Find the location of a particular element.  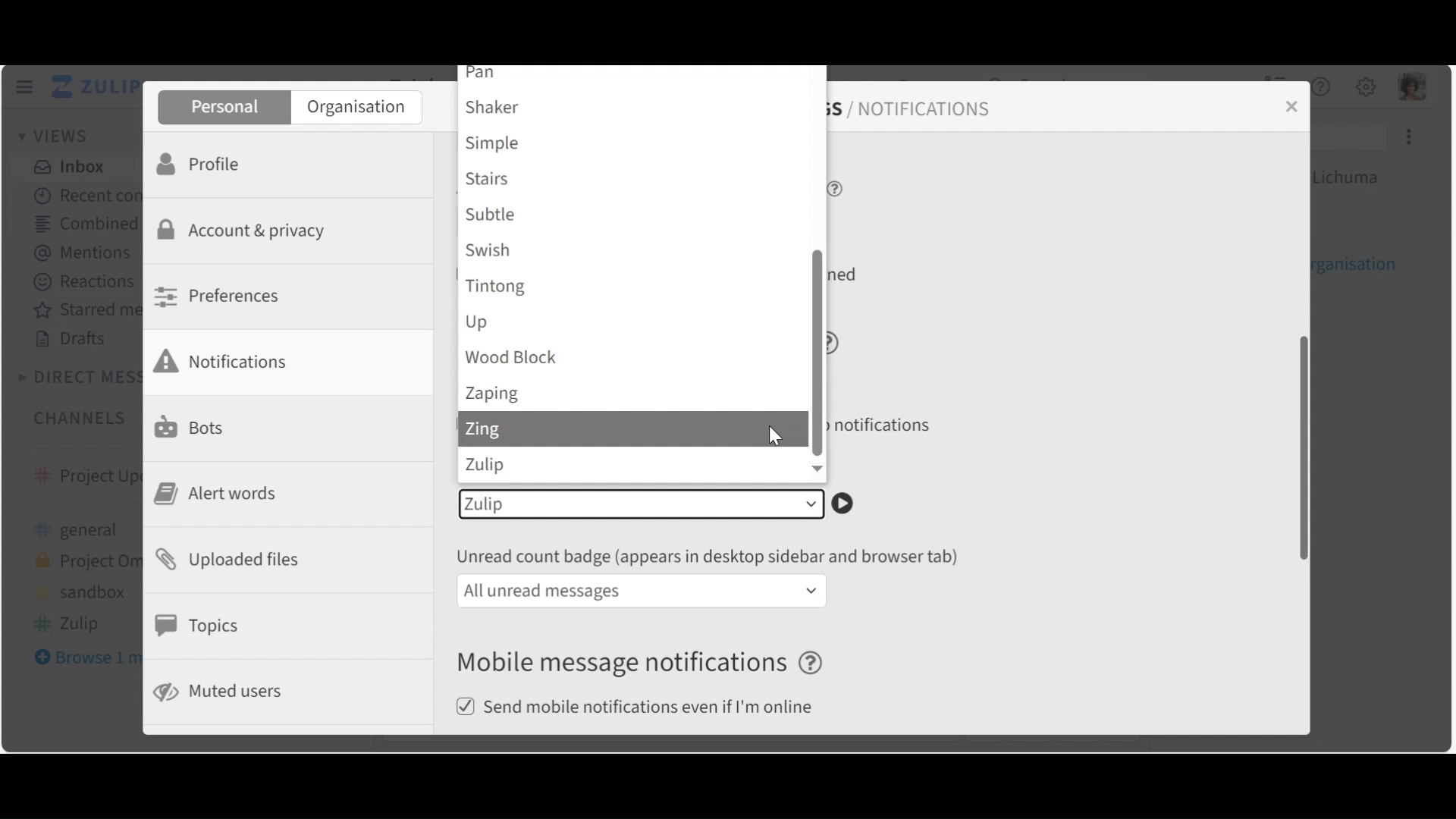

Account & Privacy is located at coordinates (246, 232).